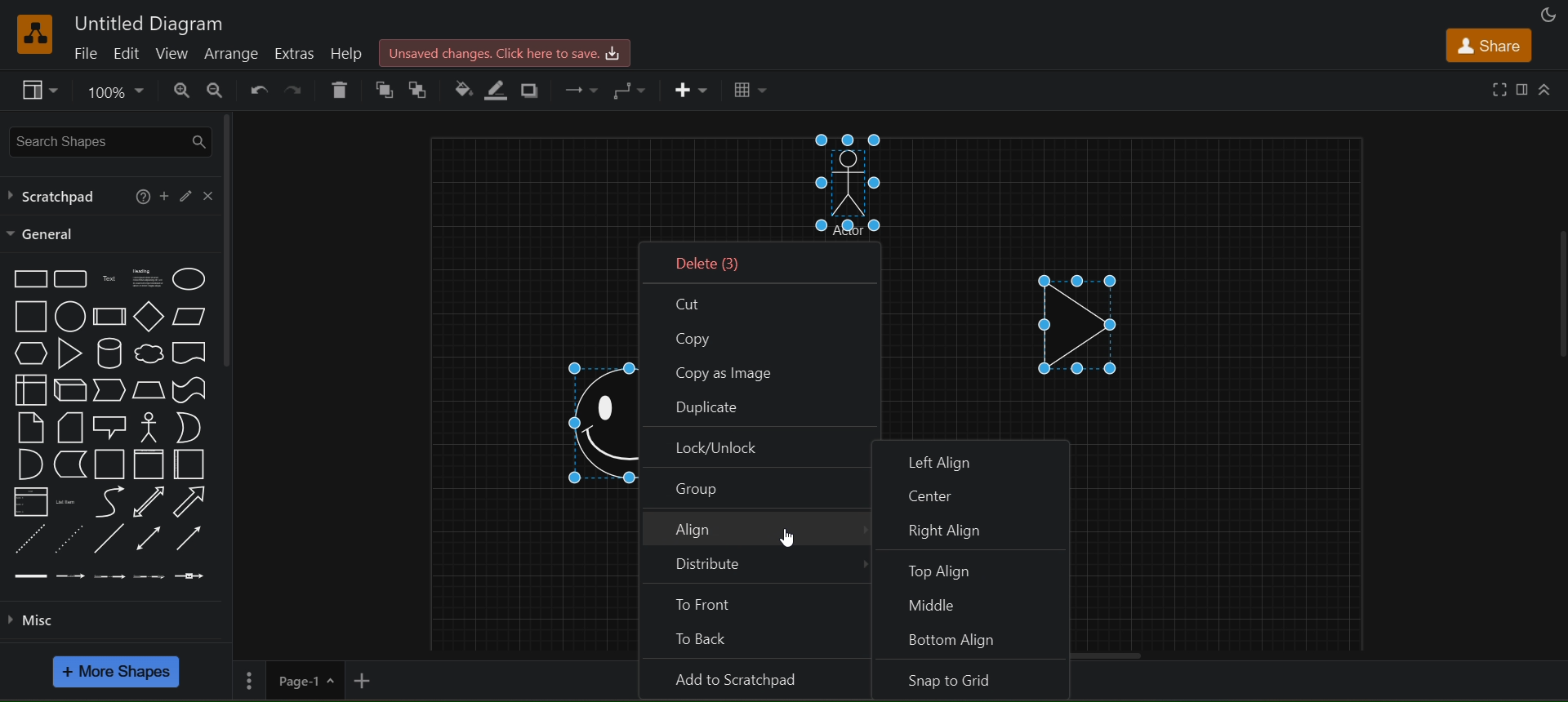 The image size is (1568, 702). Describe the element at coordinates (973, 567) in the screenshot. I see `top align` at that location.